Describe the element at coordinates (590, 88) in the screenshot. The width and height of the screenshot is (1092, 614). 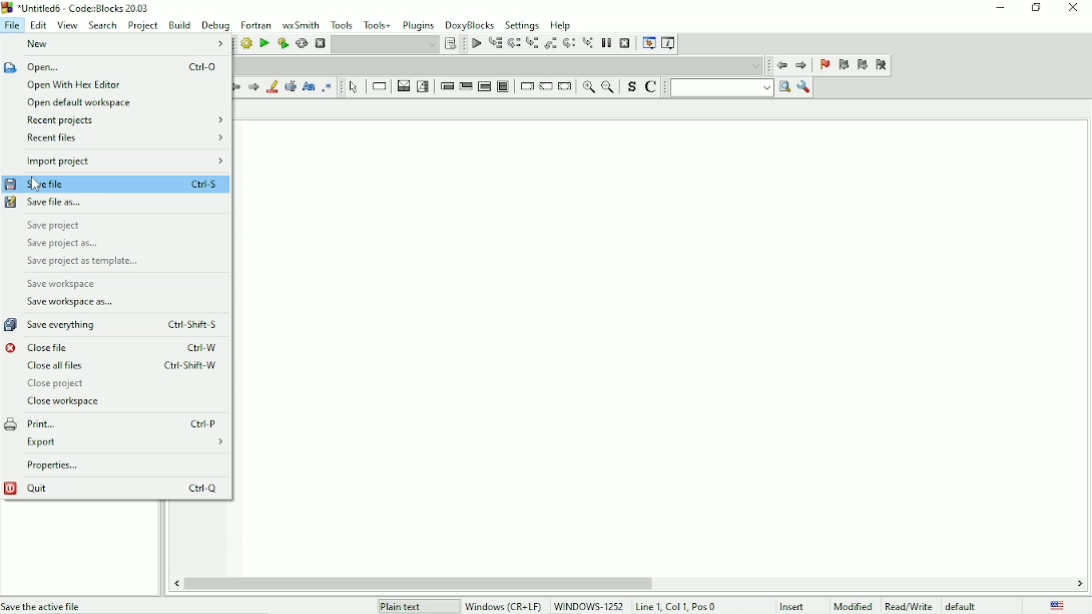
I see `Zoom in` at that location.